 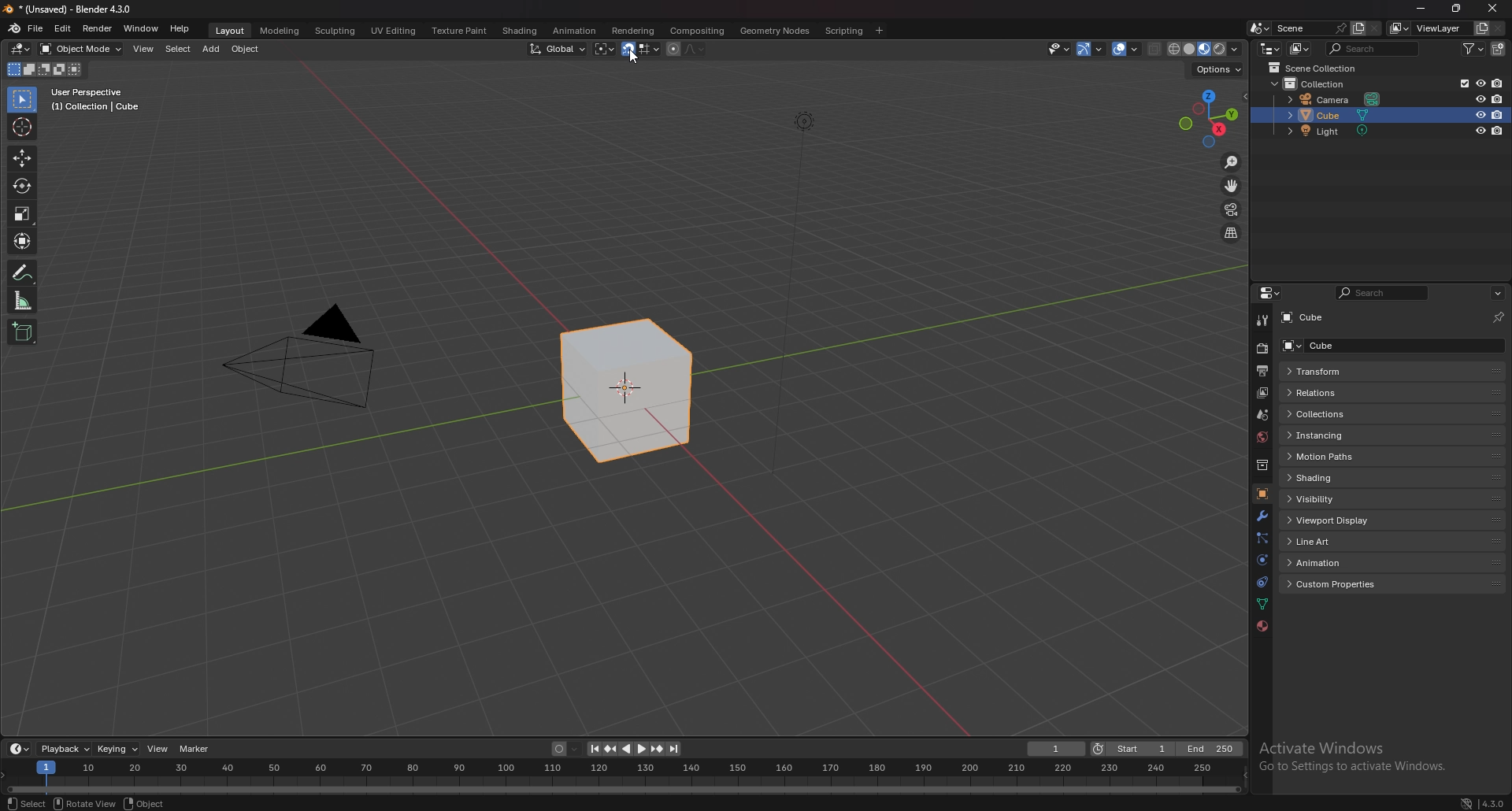 I want to click on visibility, so click(x=1336, y=498).